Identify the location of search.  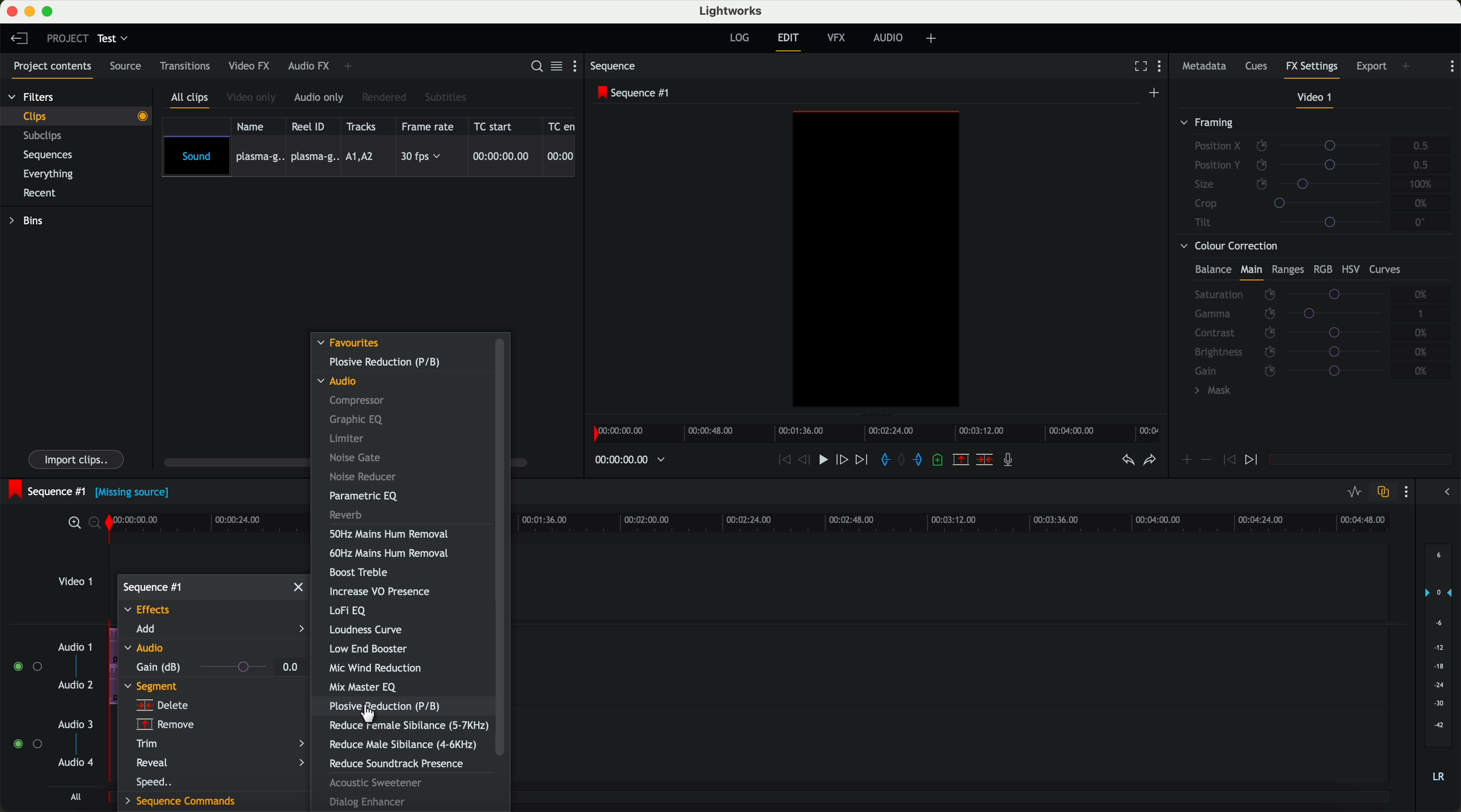
(535, 67).